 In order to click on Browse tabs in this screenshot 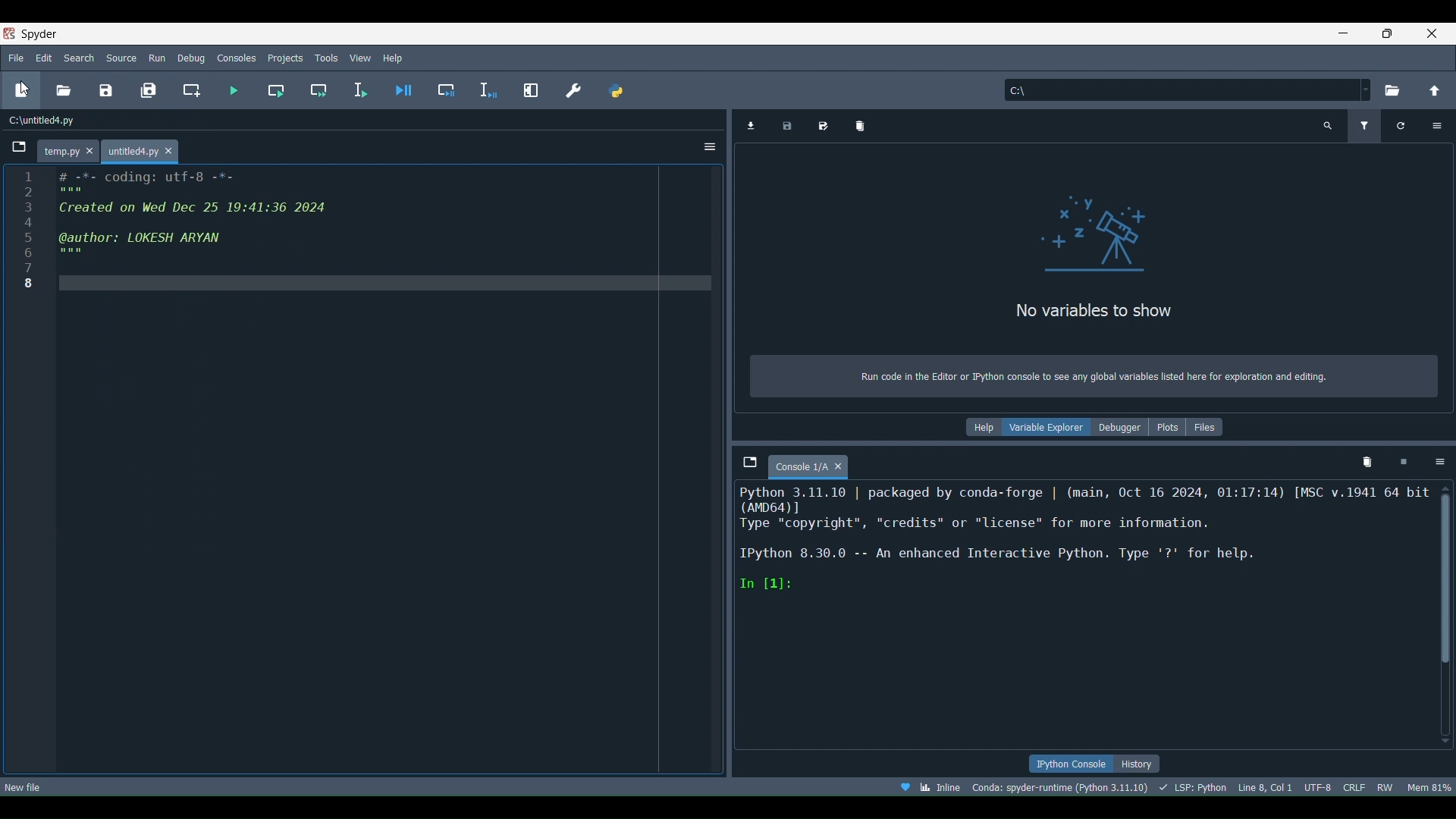, I will do `click(19, 147)`.